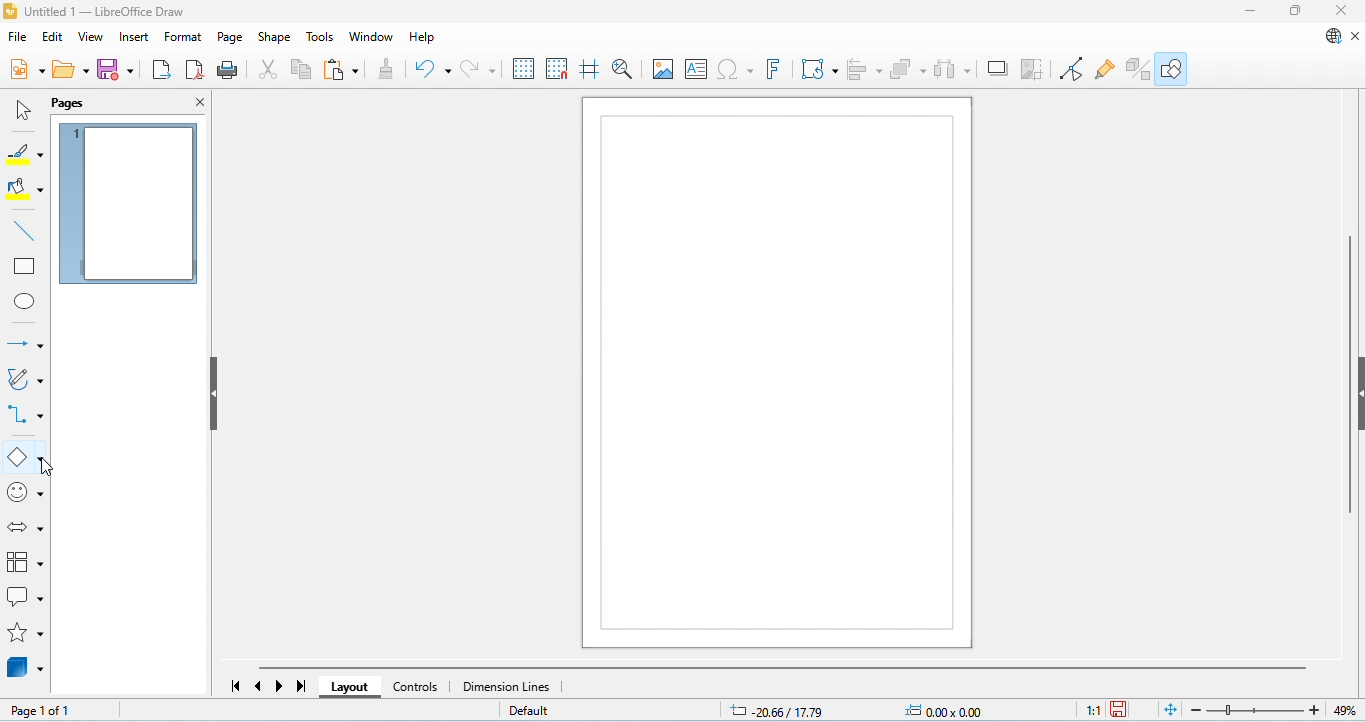  Describe the element at coordinates (417, 686) in the screenshot. I see `controls` at that location.